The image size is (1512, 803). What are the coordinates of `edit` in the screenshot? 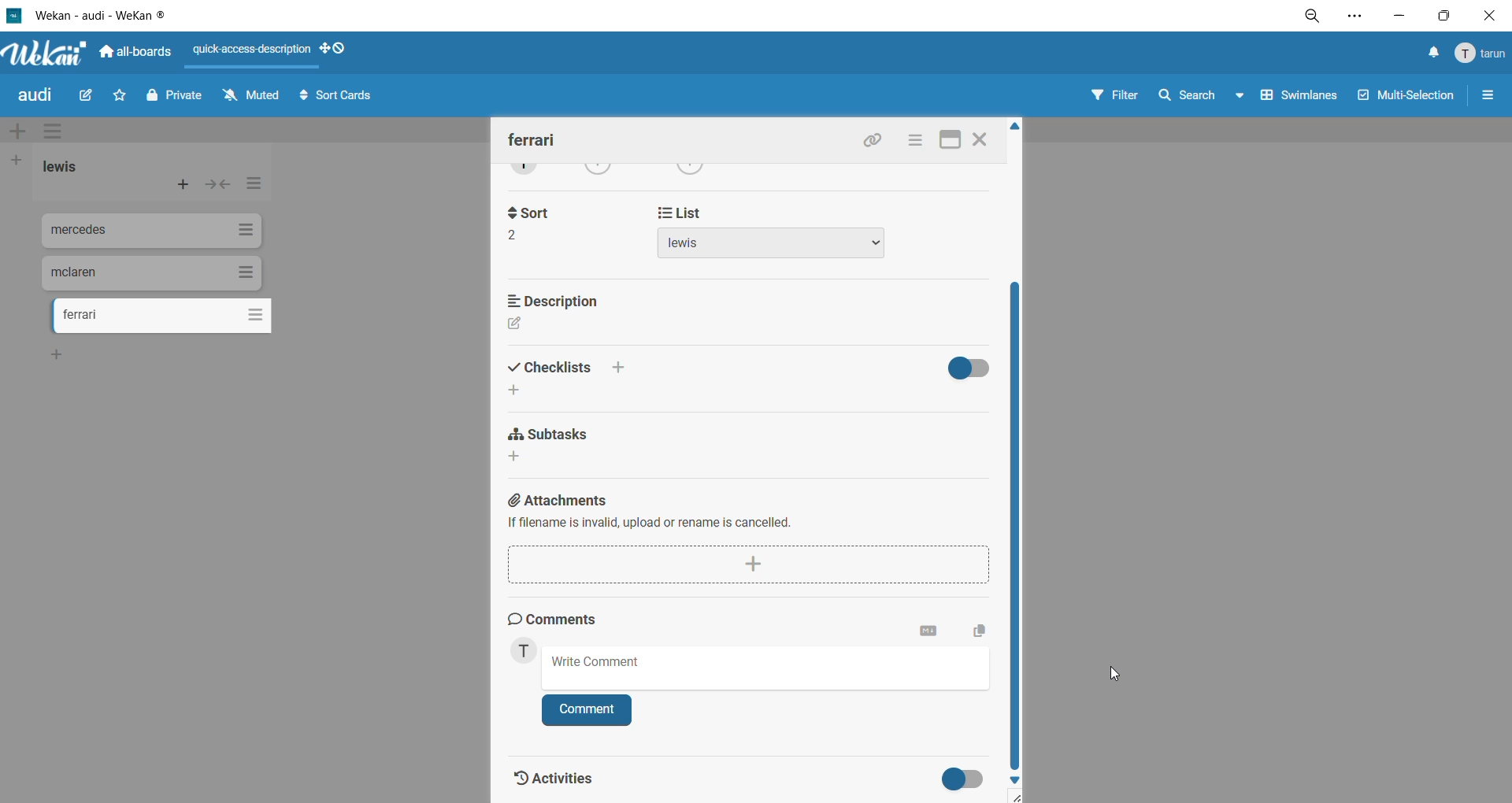 It's located at (516, 325).